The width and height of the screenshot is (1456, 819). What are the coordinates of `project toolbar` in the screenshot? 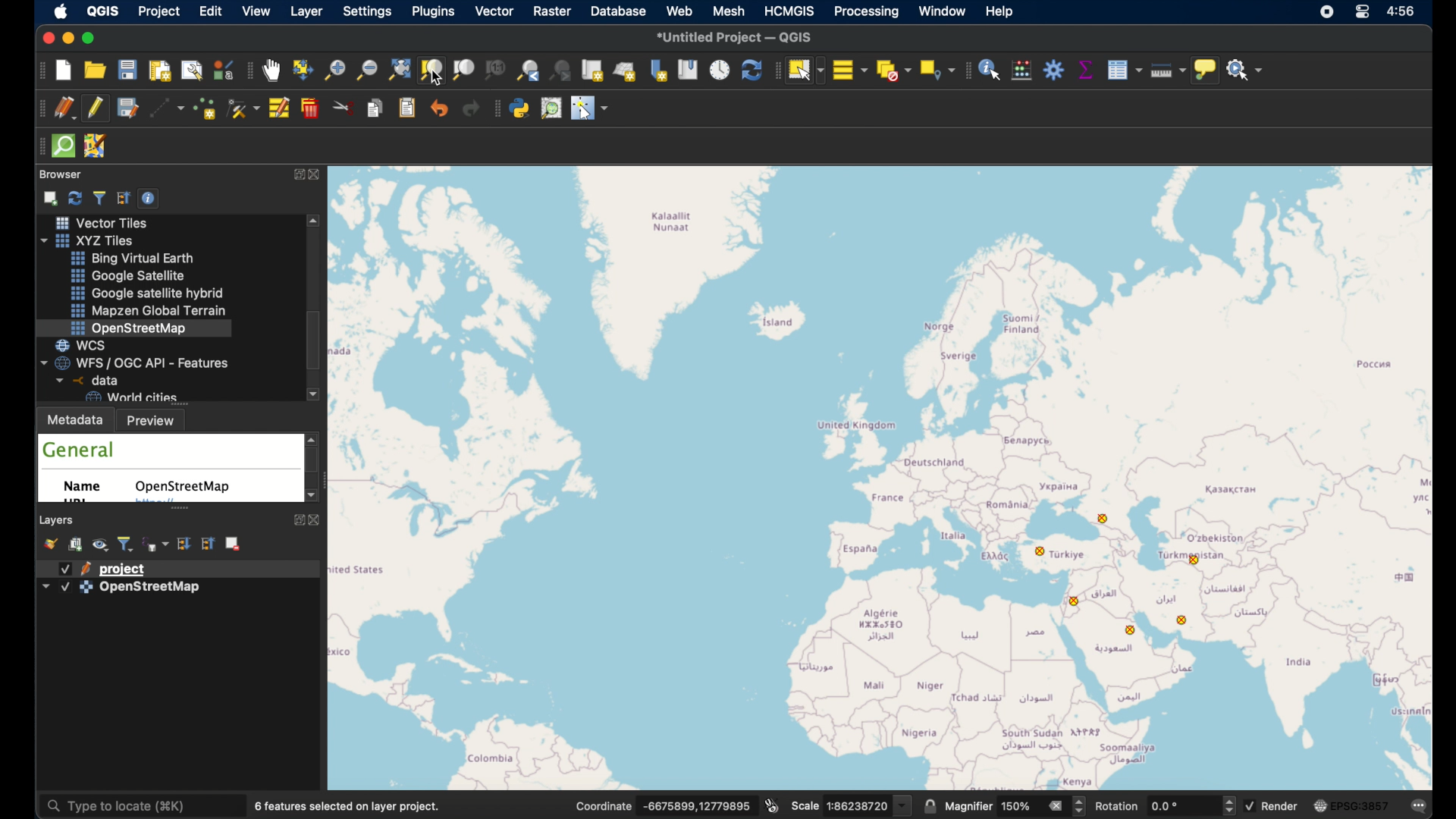 It's located at (38, 72).